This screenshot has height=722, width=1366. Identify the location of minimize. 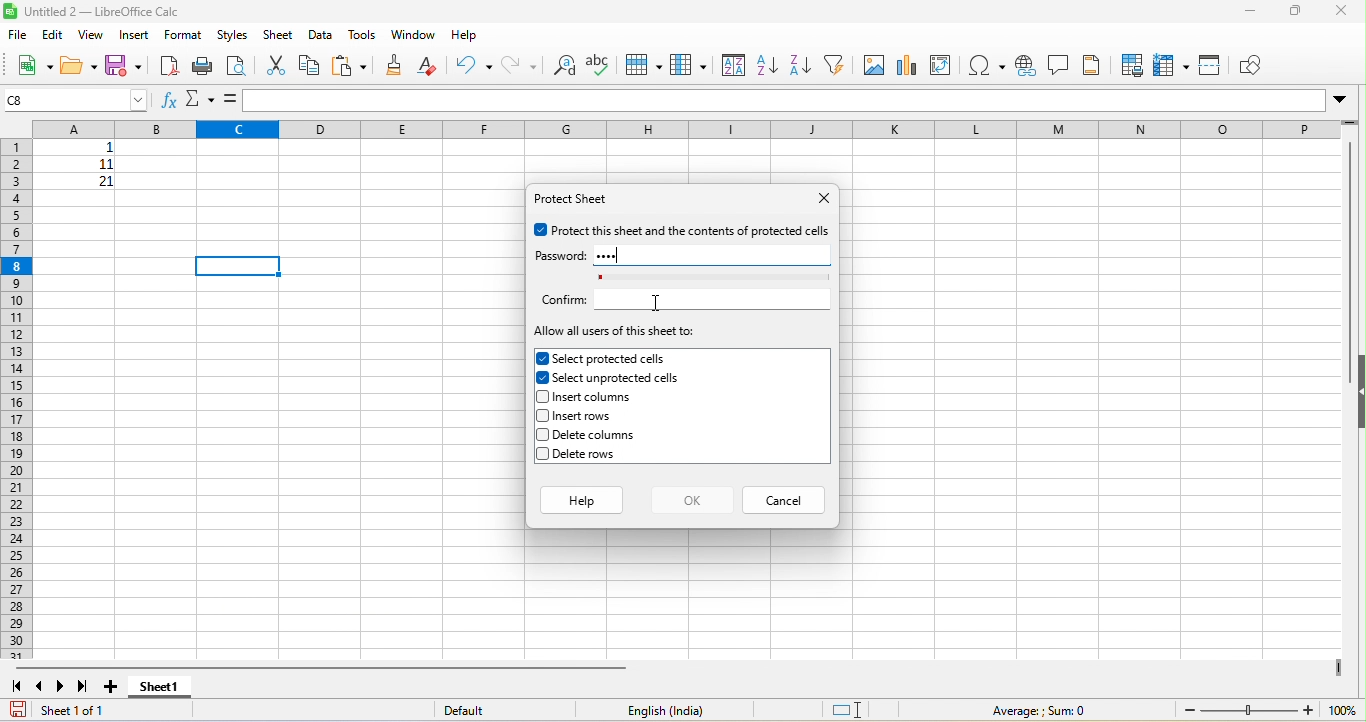
(1253, 12).